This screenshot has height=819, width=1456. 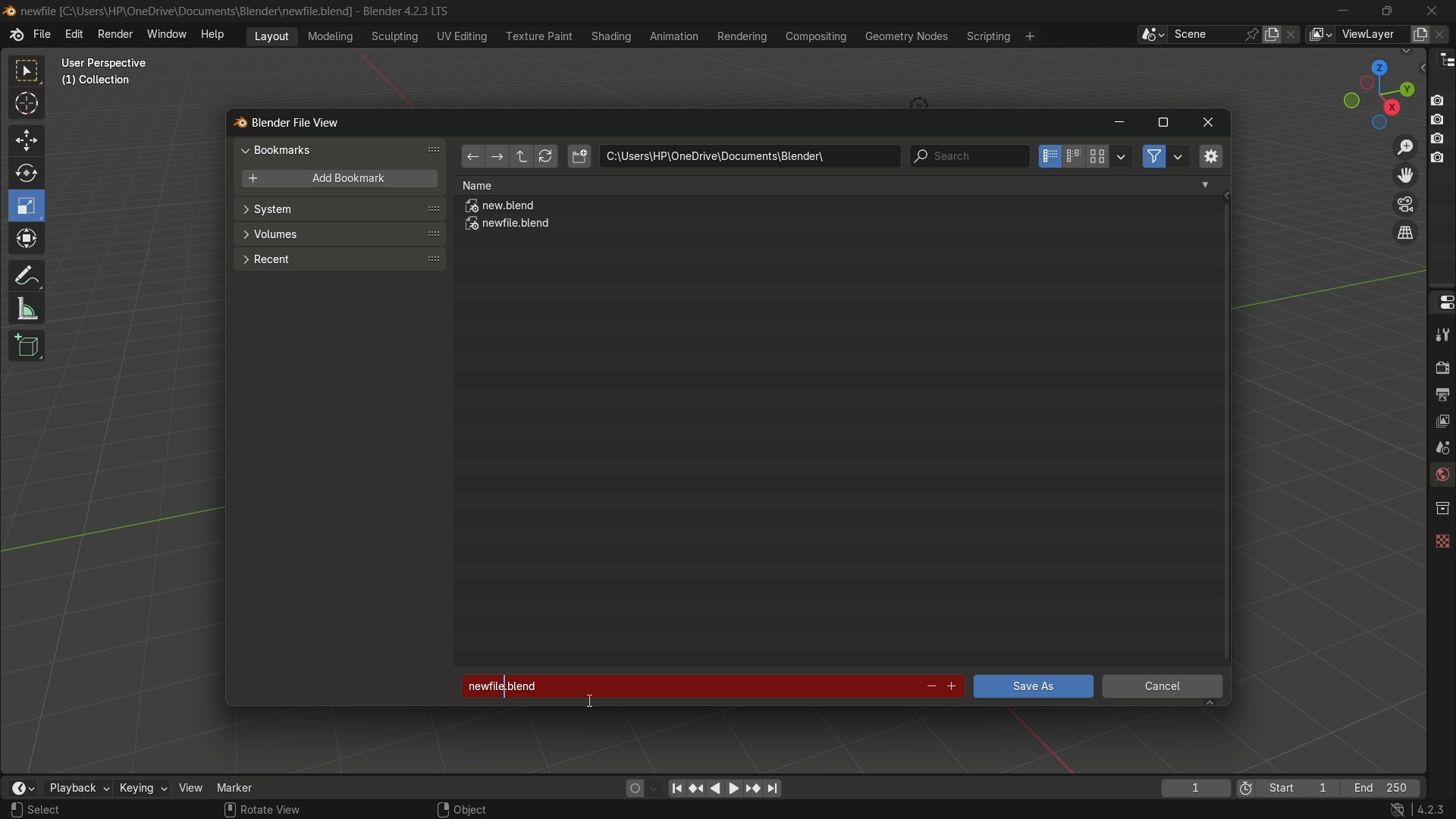 I want to click on geometry nodes menu, so click(x=905, y=36).